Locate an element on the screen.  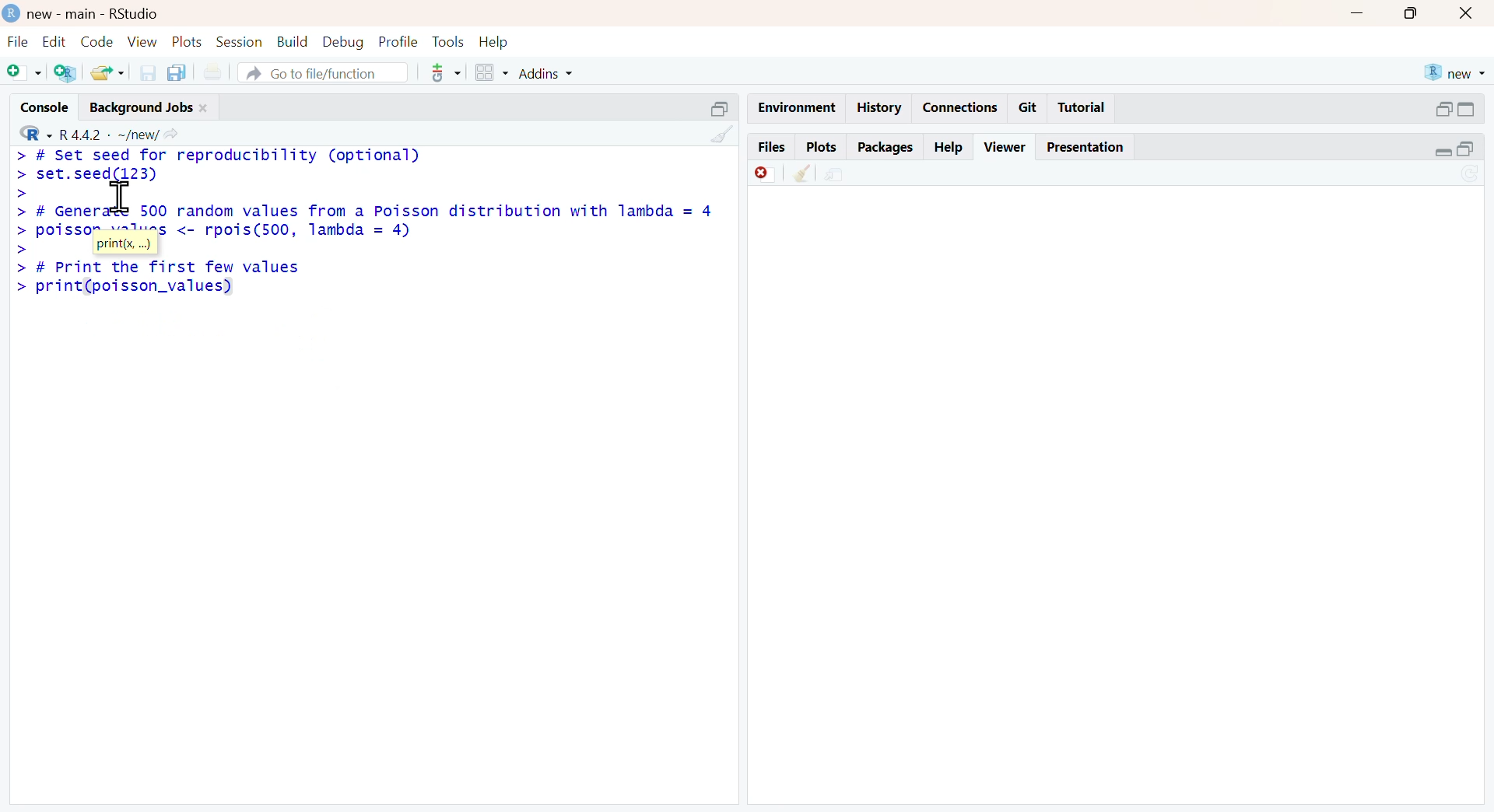
print is located at coordinates (214, 70).